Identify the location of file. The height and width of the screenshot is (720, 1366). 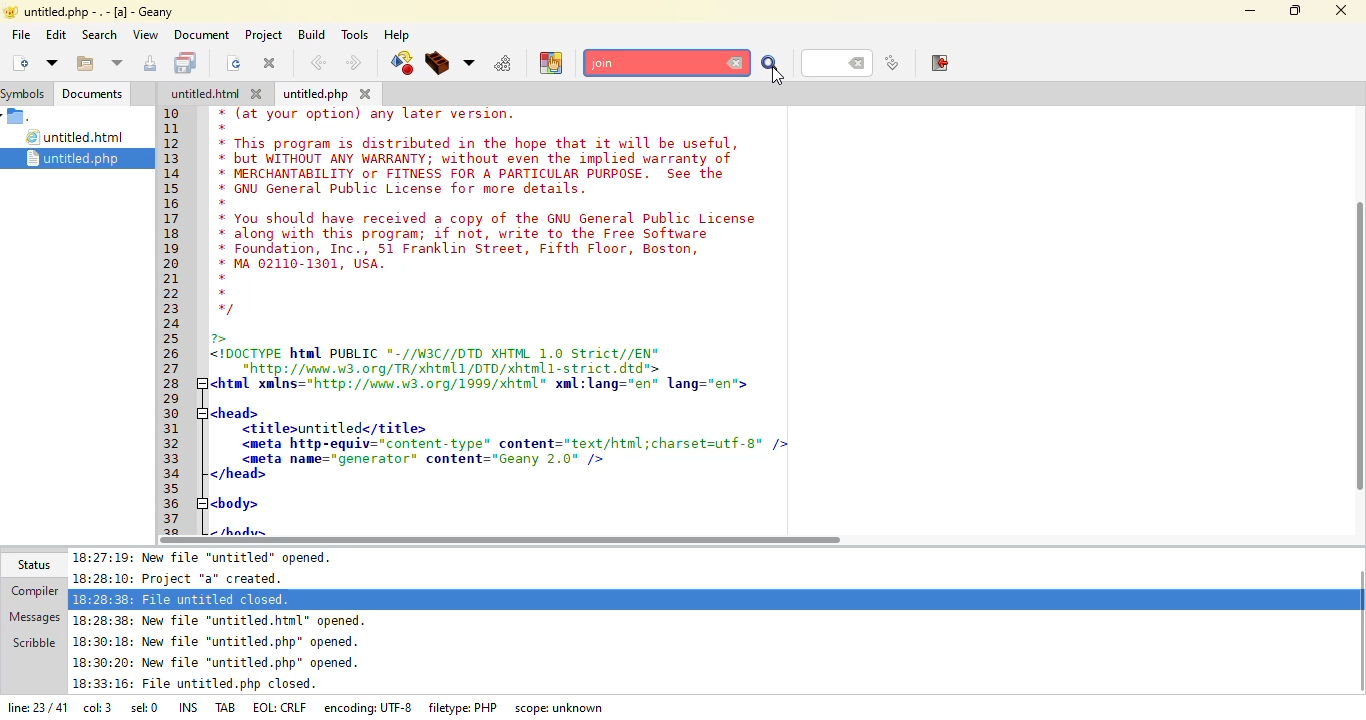
(21, 34).